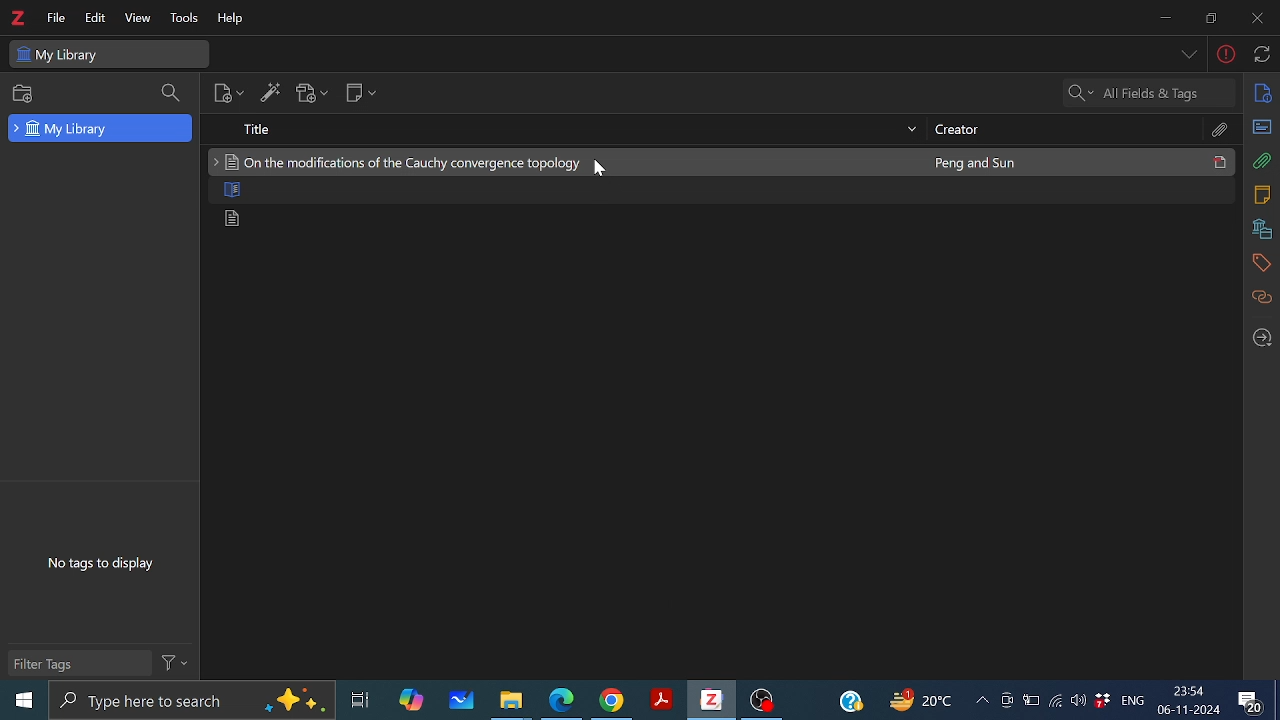 This screenshot has height=720, width=1280. I want to click on Locate, so click(1263, 334).